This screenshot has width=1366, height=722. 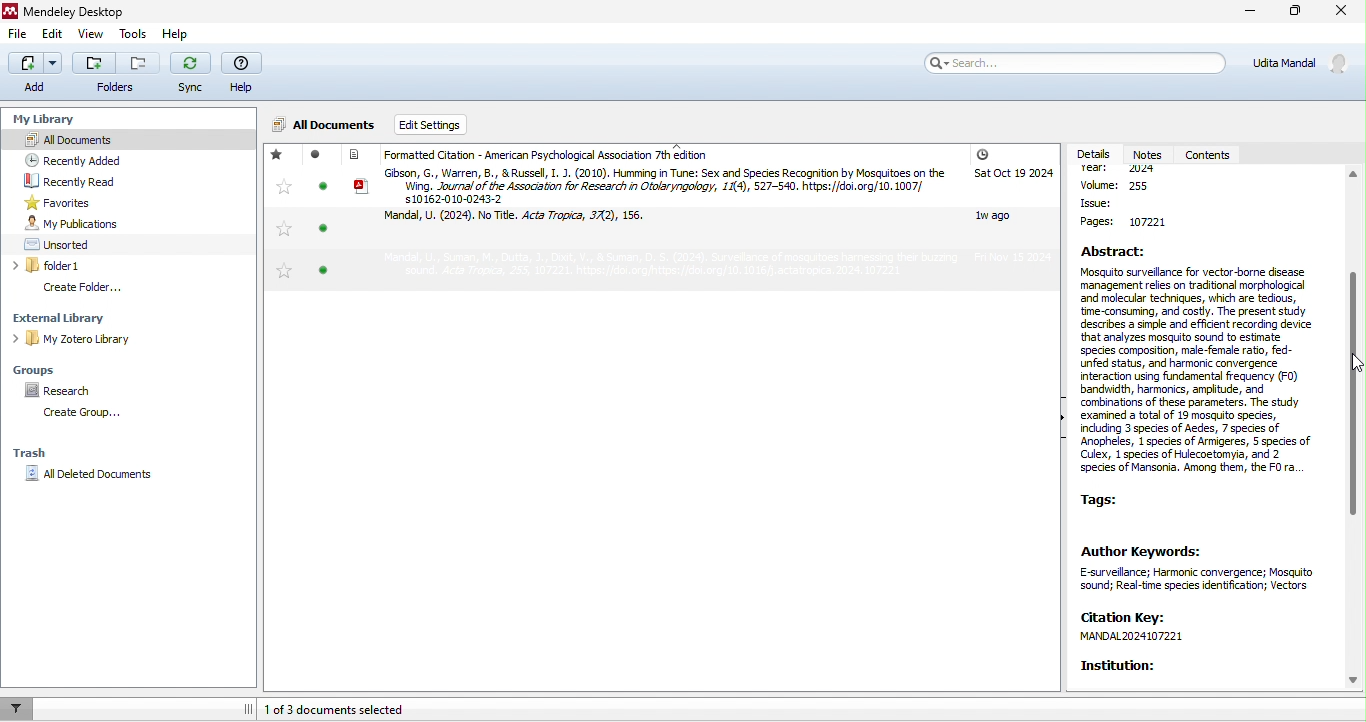 What do you see at coordinates (191, 75) in the screenshot?
I see `sync` at bounding box center [191, 75].